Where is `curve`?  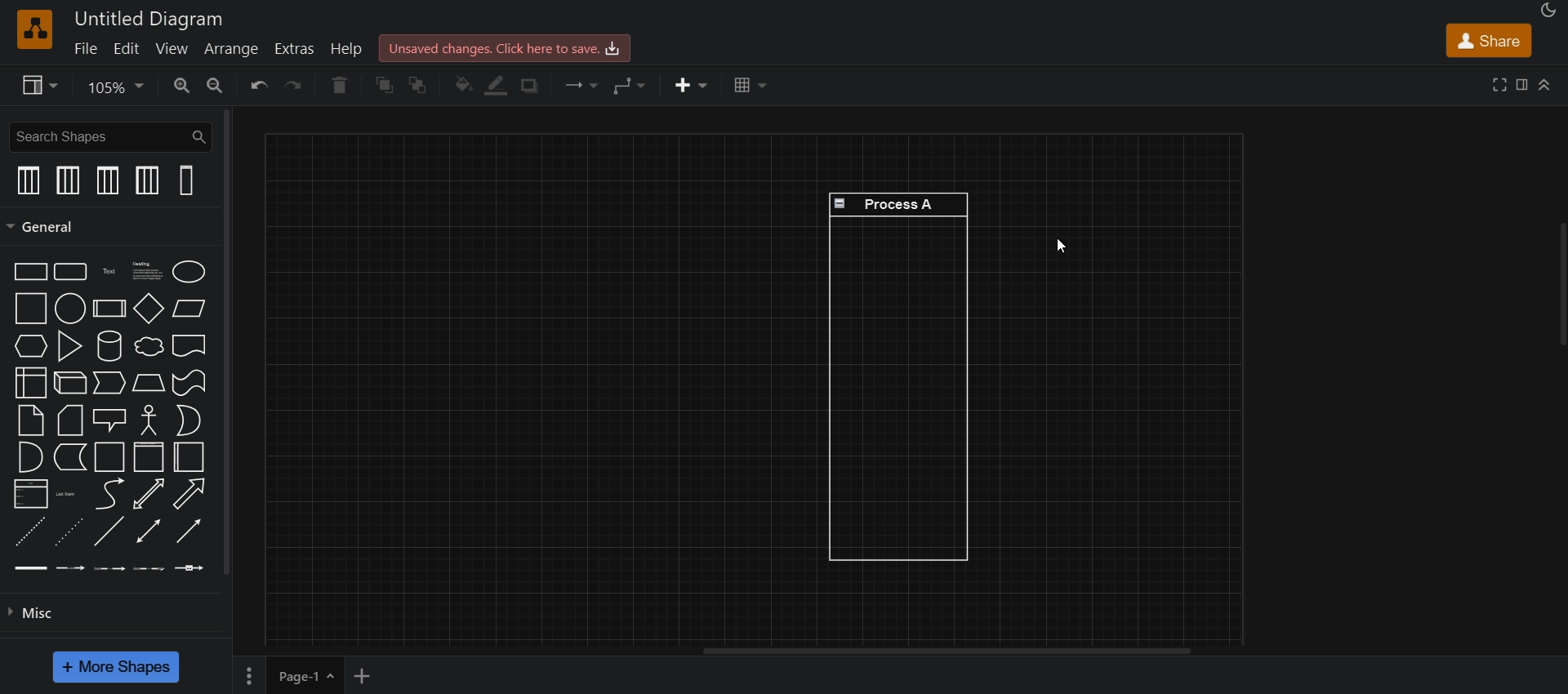 curve is located at coordinates (110, 496).